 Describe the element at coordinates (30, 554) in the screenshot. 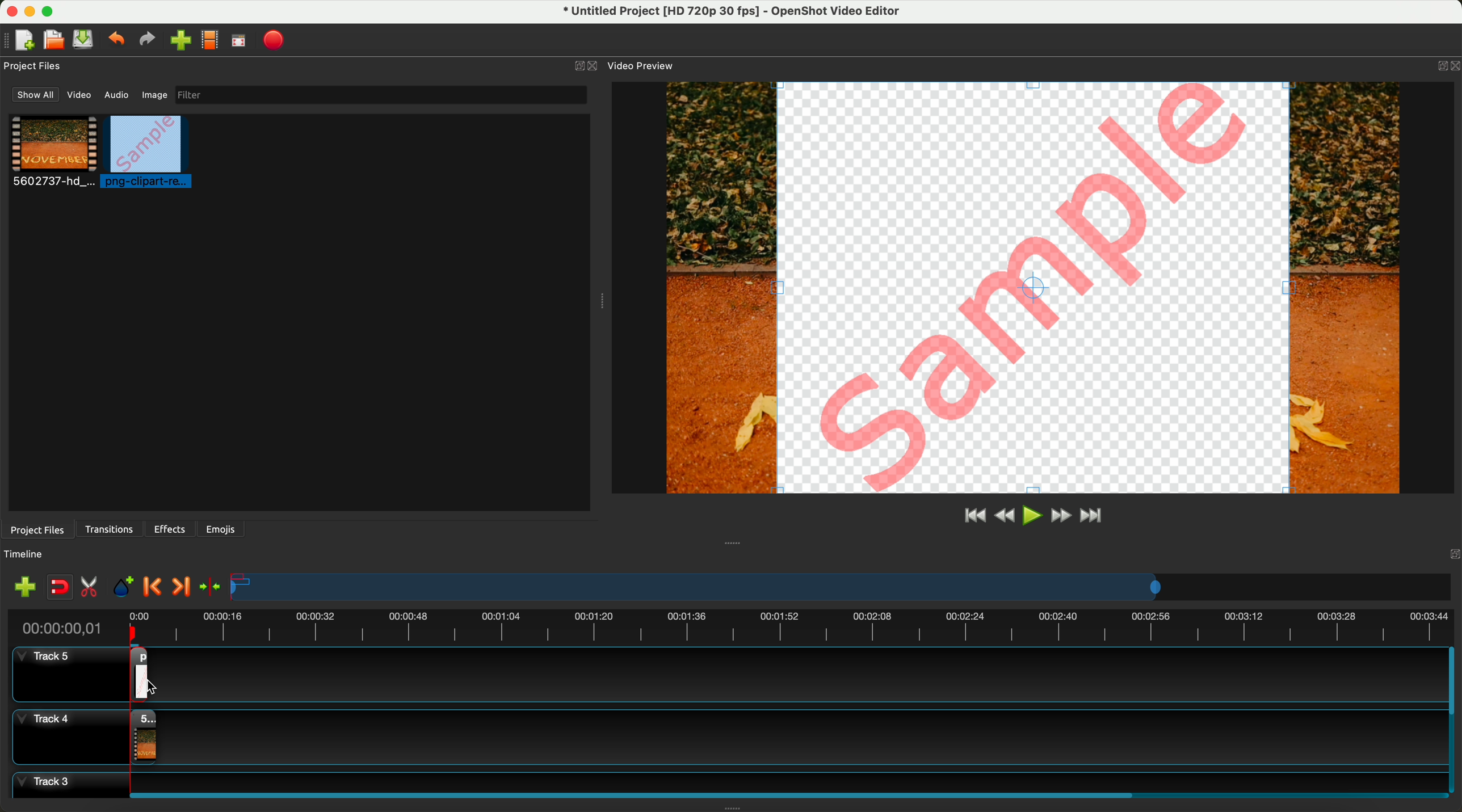

I see `timeline` at that location.